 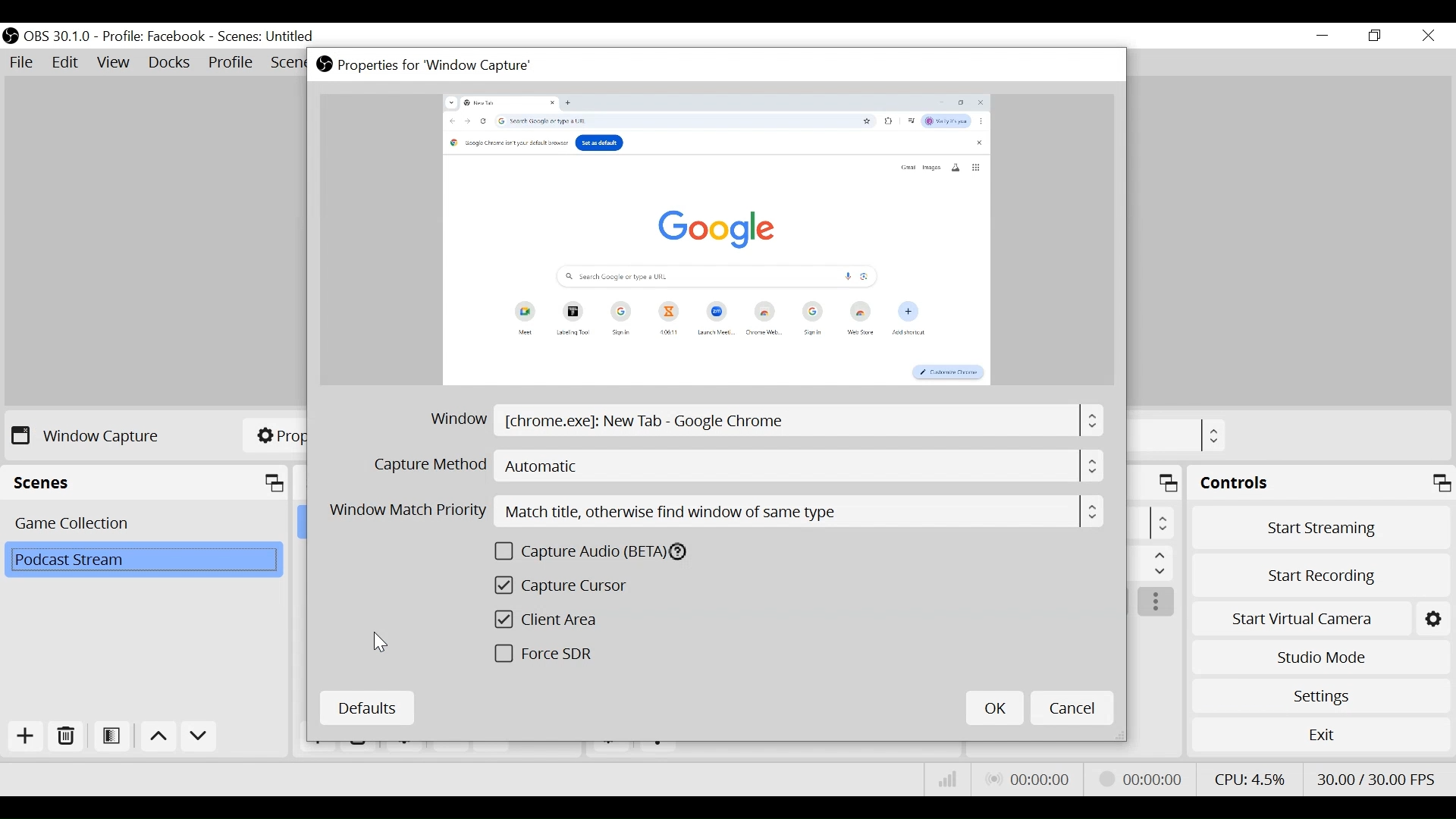 I want to click on Scenes, so click(x=146, y=482).